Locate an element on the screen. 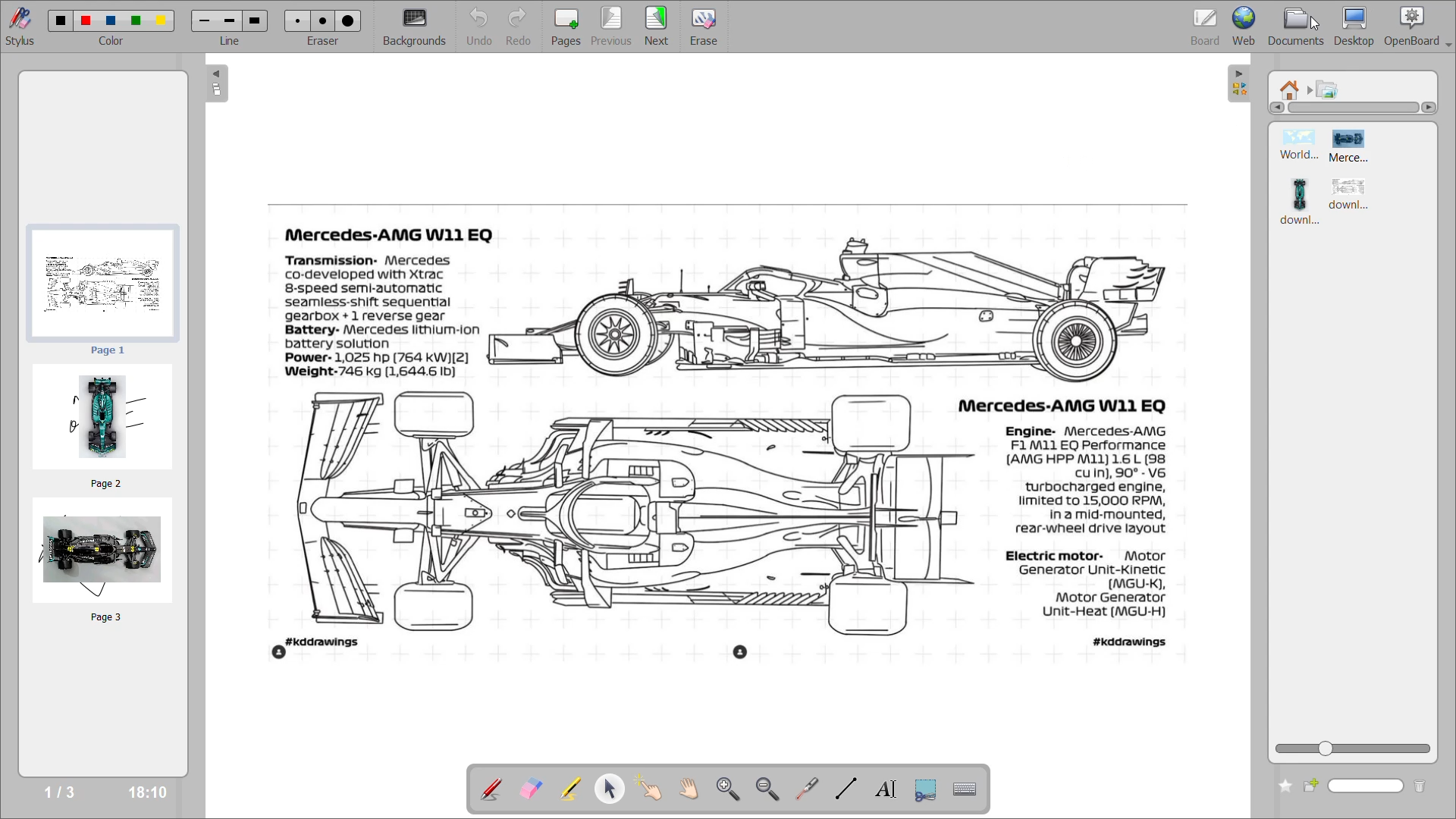 The width and height of the screenshot is (1456, 819). virtual laser pointer is located at coordinates (811, 789).